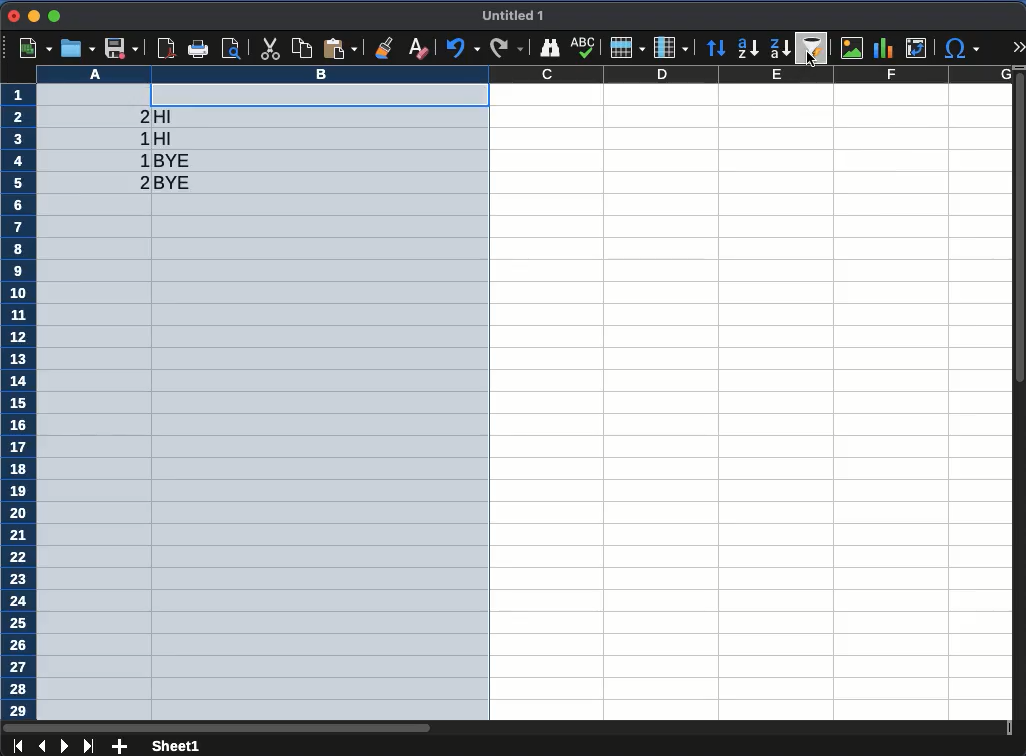  What do you see at coordinates (199, 48) in the screenshot?
I see `print` at bounding box center [199, 48].